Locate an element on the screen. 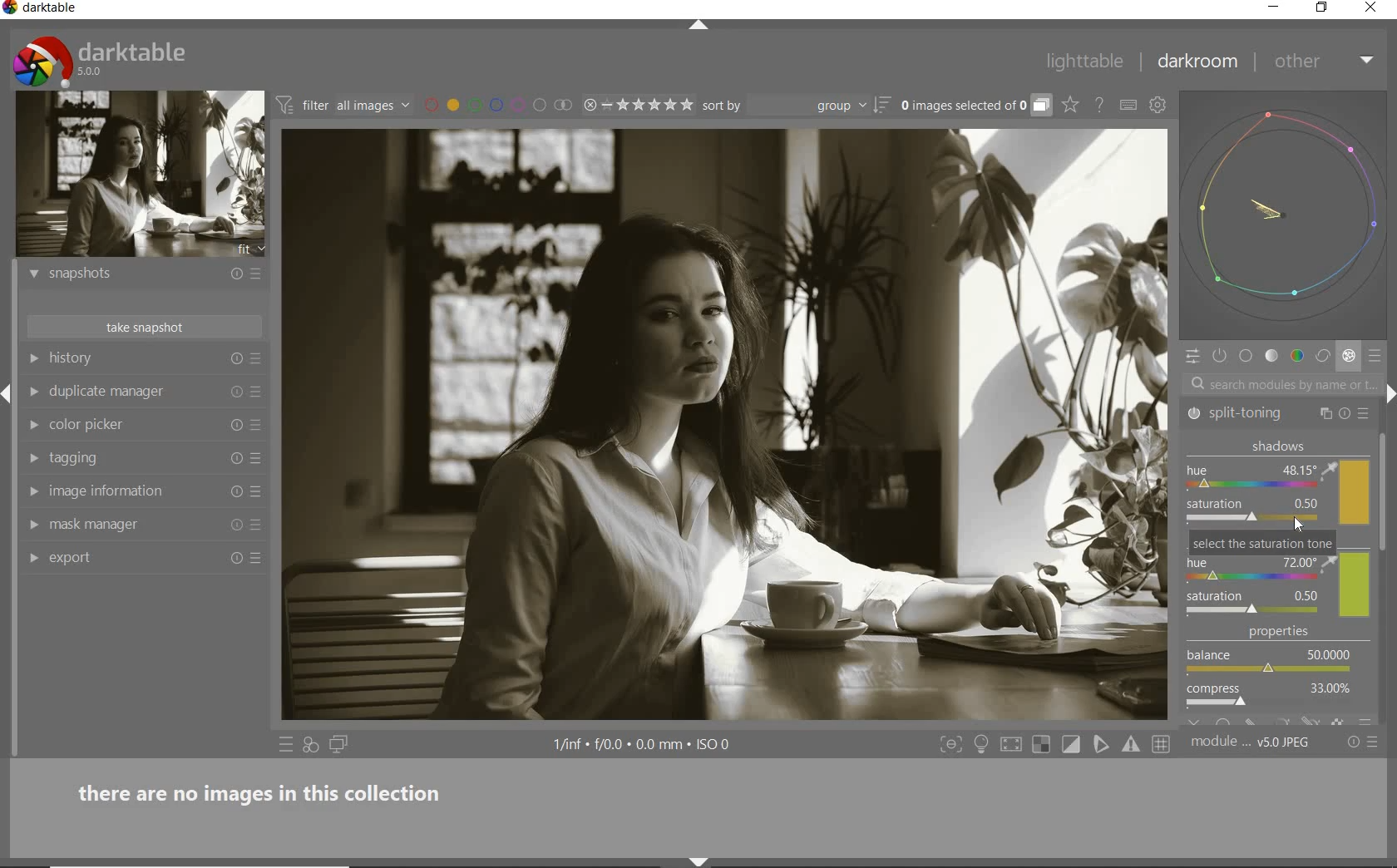 This screenshot has height=868, width=1397. show module is located at coordinates (32, 358).